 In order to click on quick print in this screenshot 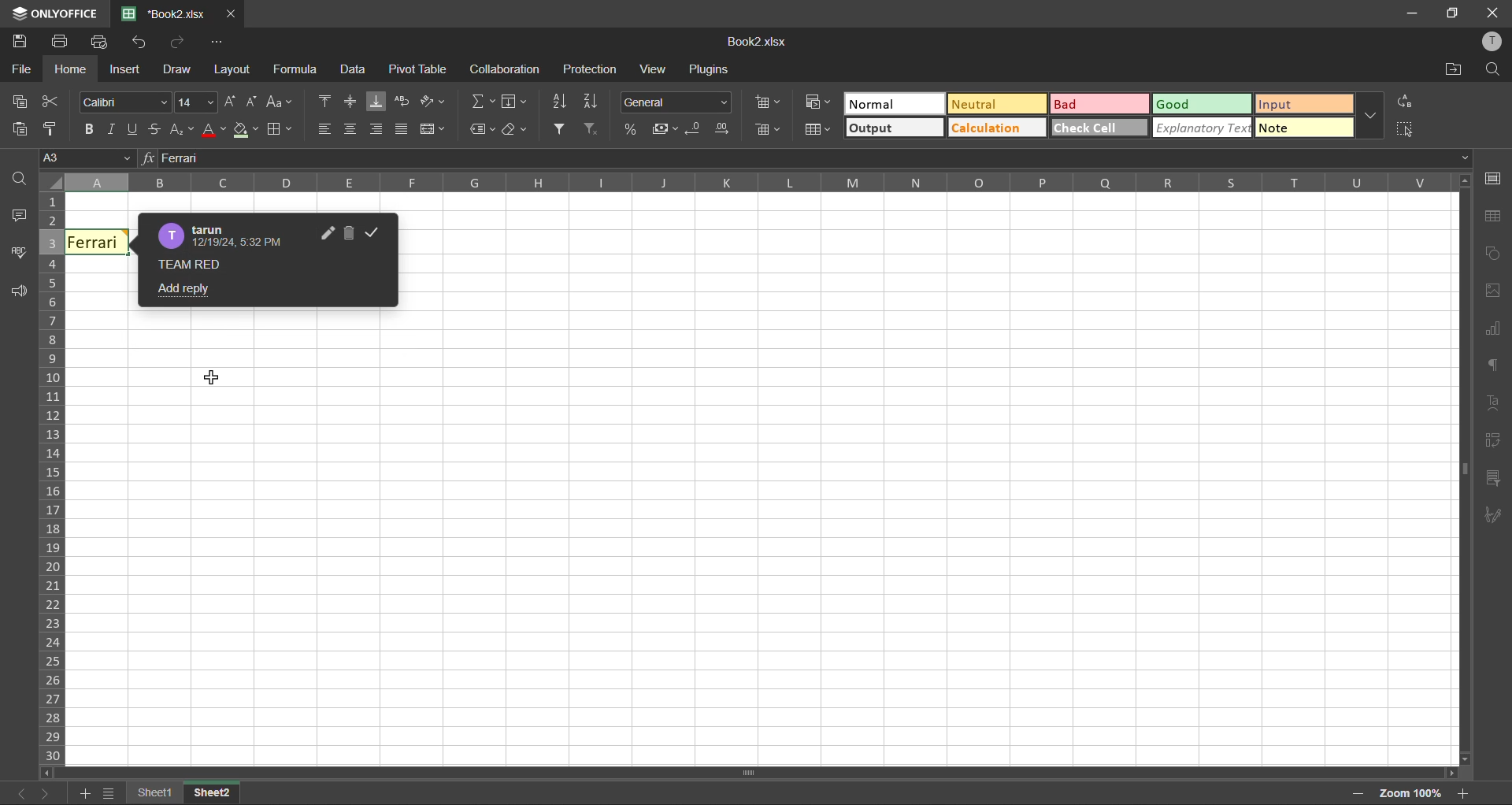, I will do `click(97, 42)`.